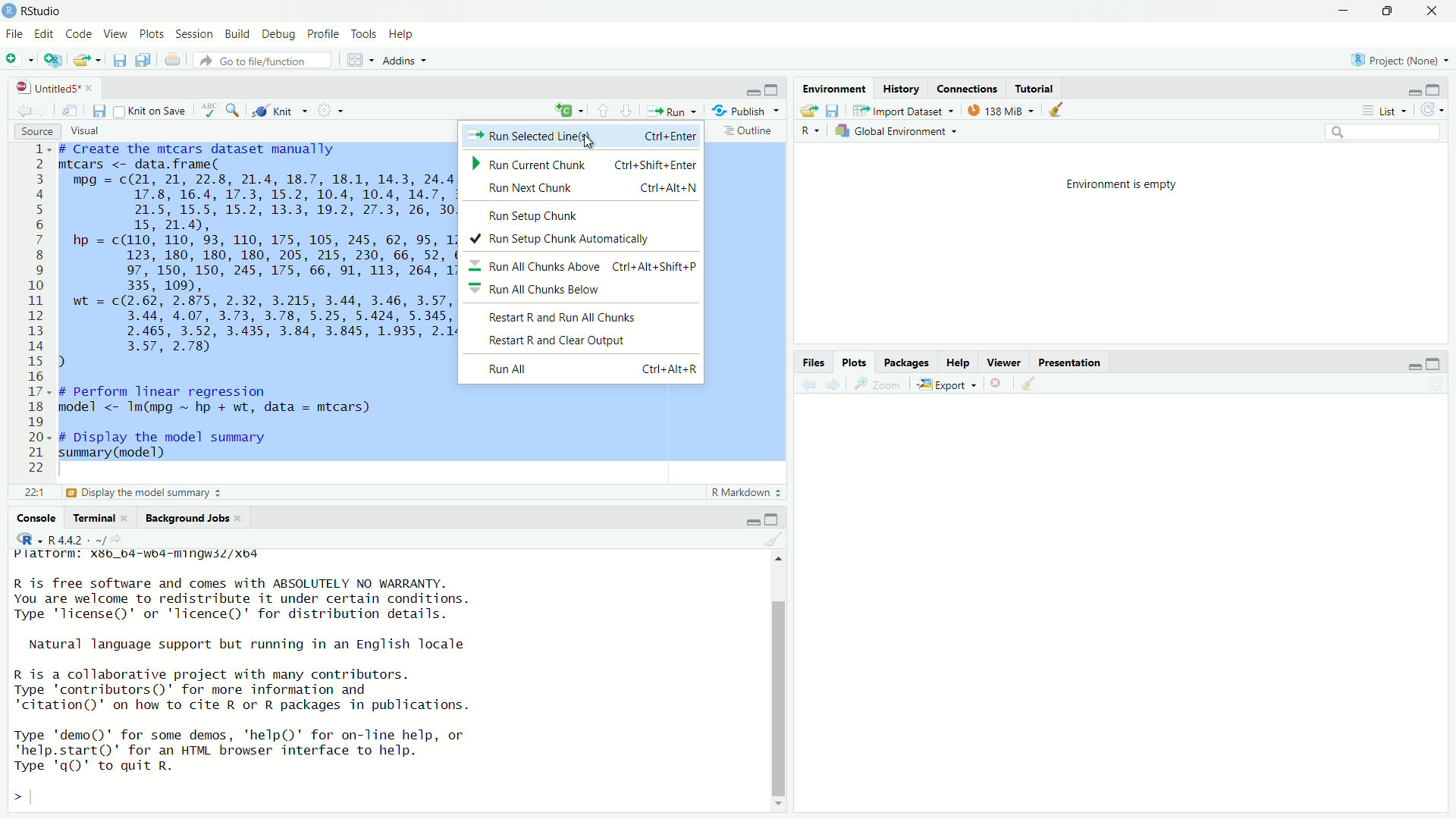 The image size is (1456, 819). Describe the element at coordinates (362, 33) in the screenshot. I see `tools` at that location.